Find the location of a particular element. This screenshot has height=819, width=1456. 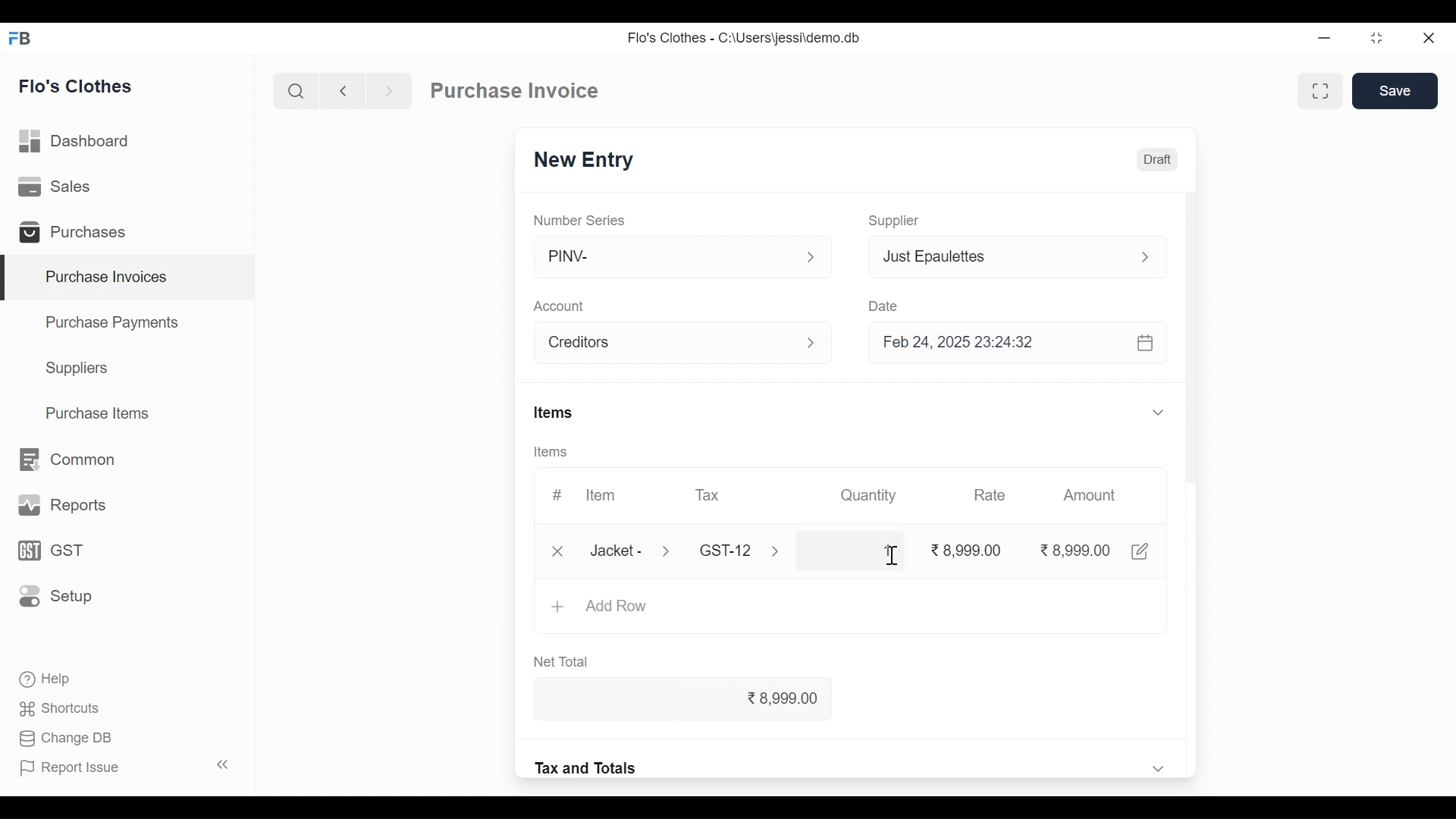

8,999.00 is located at coordinates (1074, 550).